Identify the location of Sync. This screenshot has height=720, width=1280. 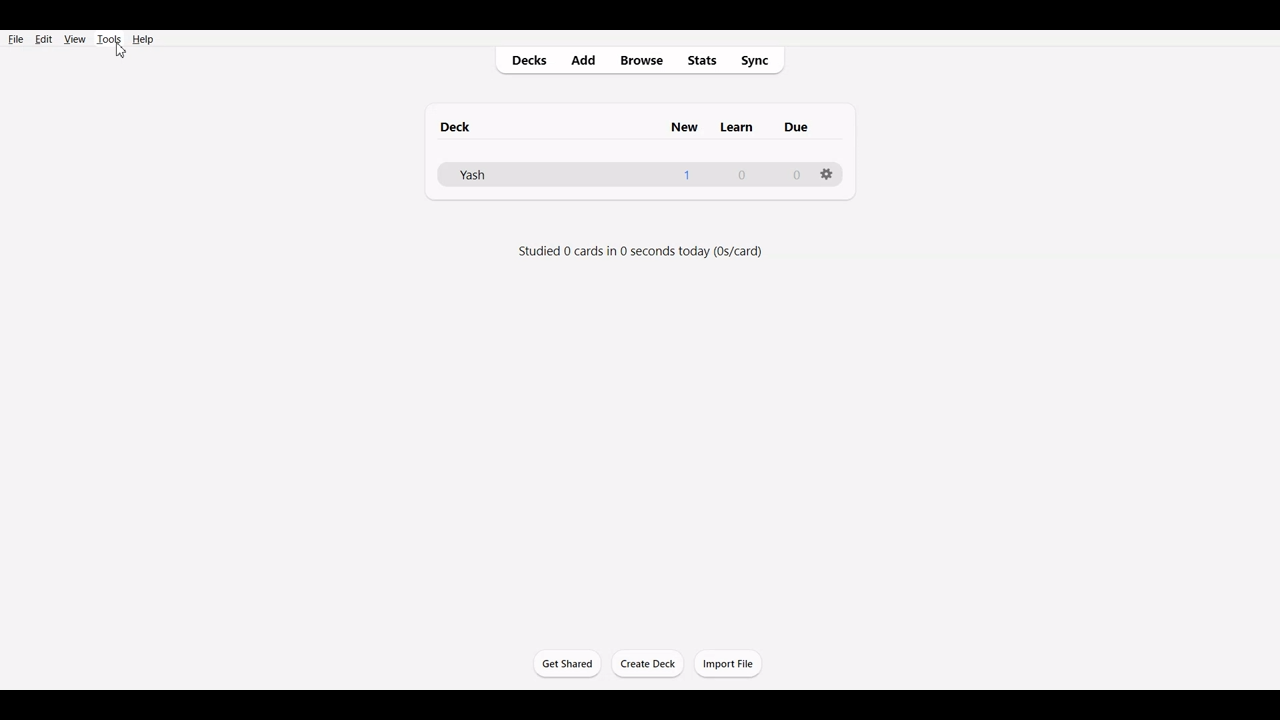
(761, 60).